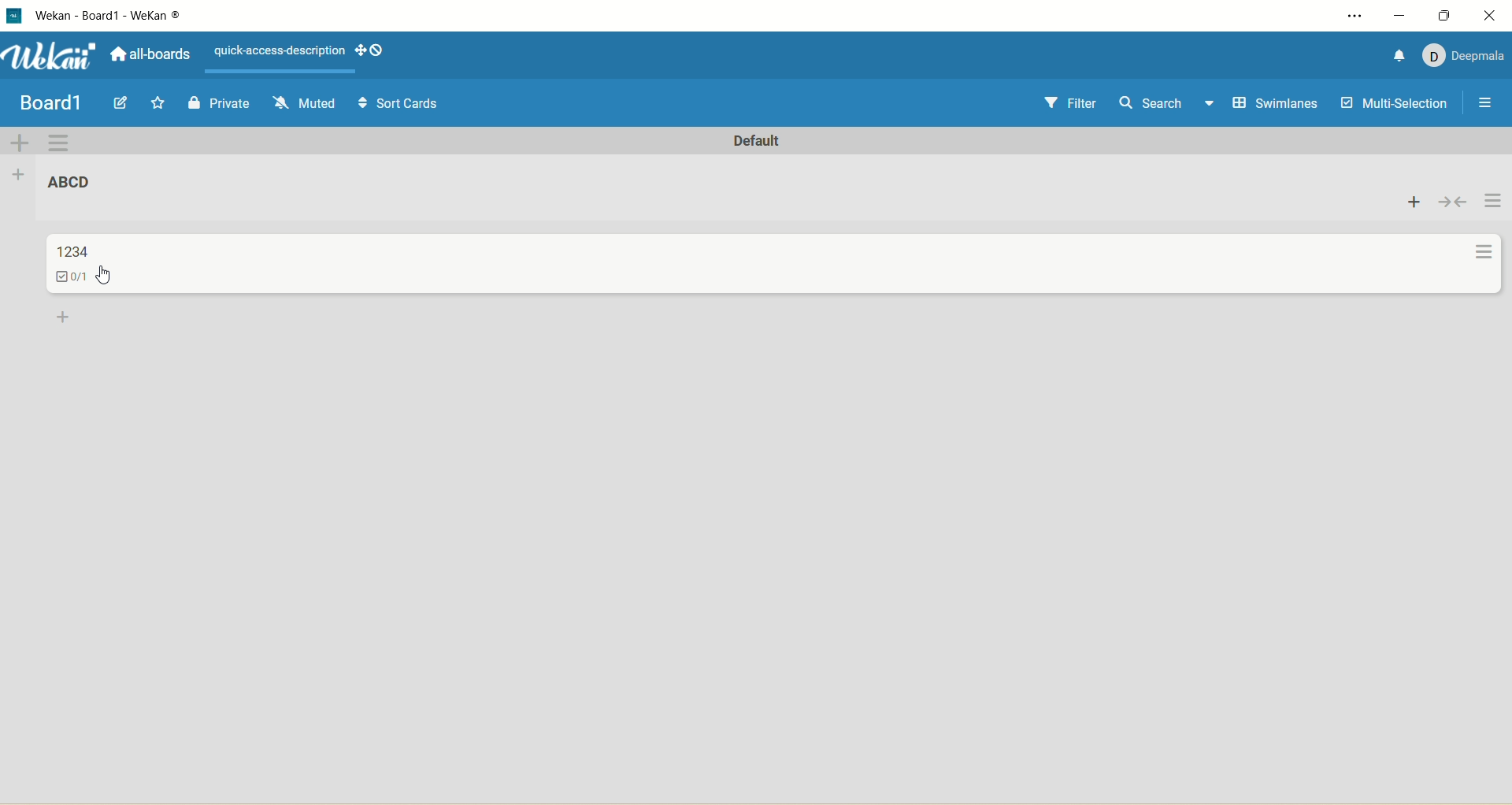 Image resolution: width=1512 pixels, height=805 pixels. I want to click on sort cards, so click(396, 104).